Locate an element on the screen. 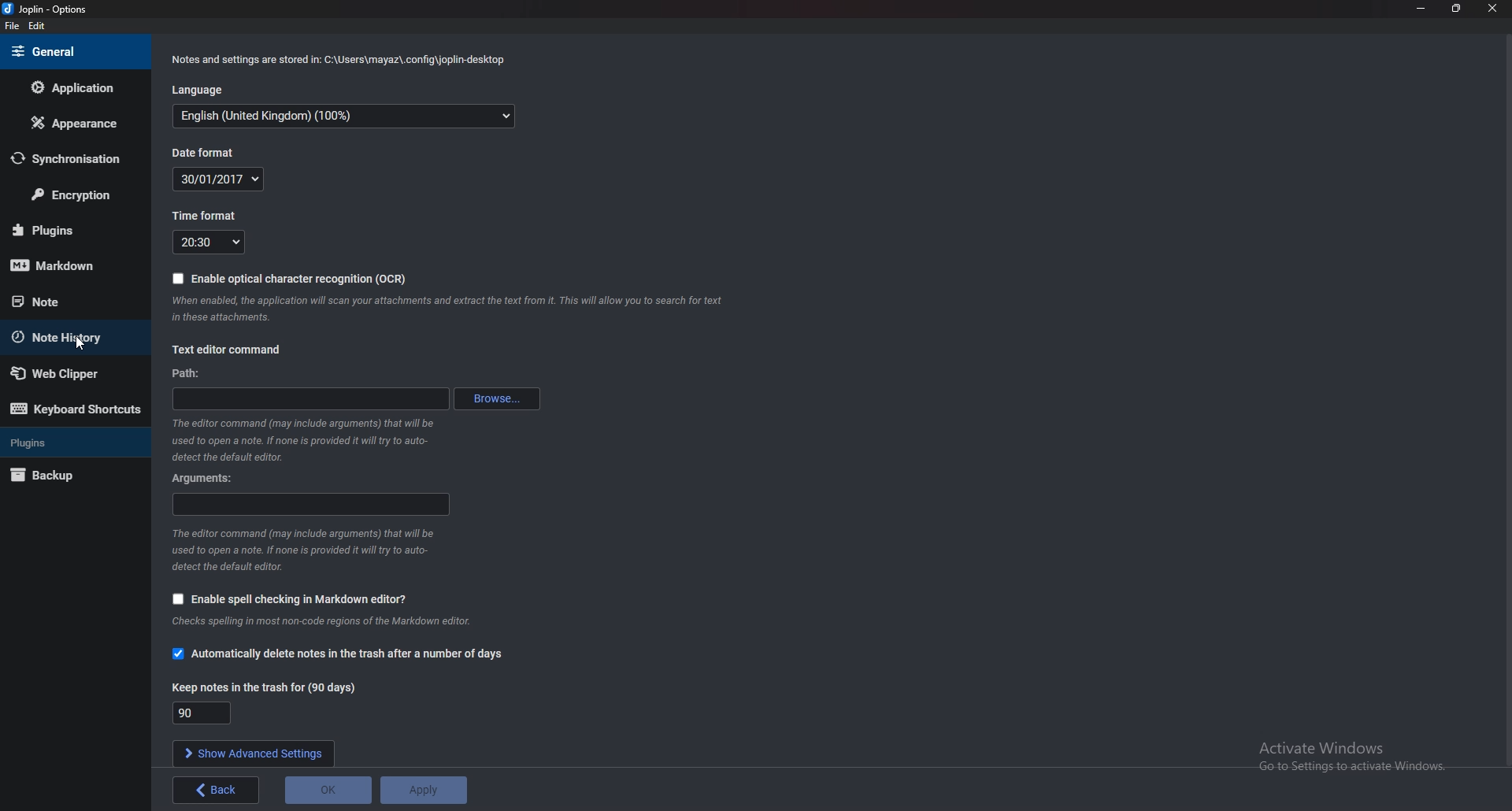 This screenshot has width=1512, height=811. Time format is located at coordinates (208, 217).